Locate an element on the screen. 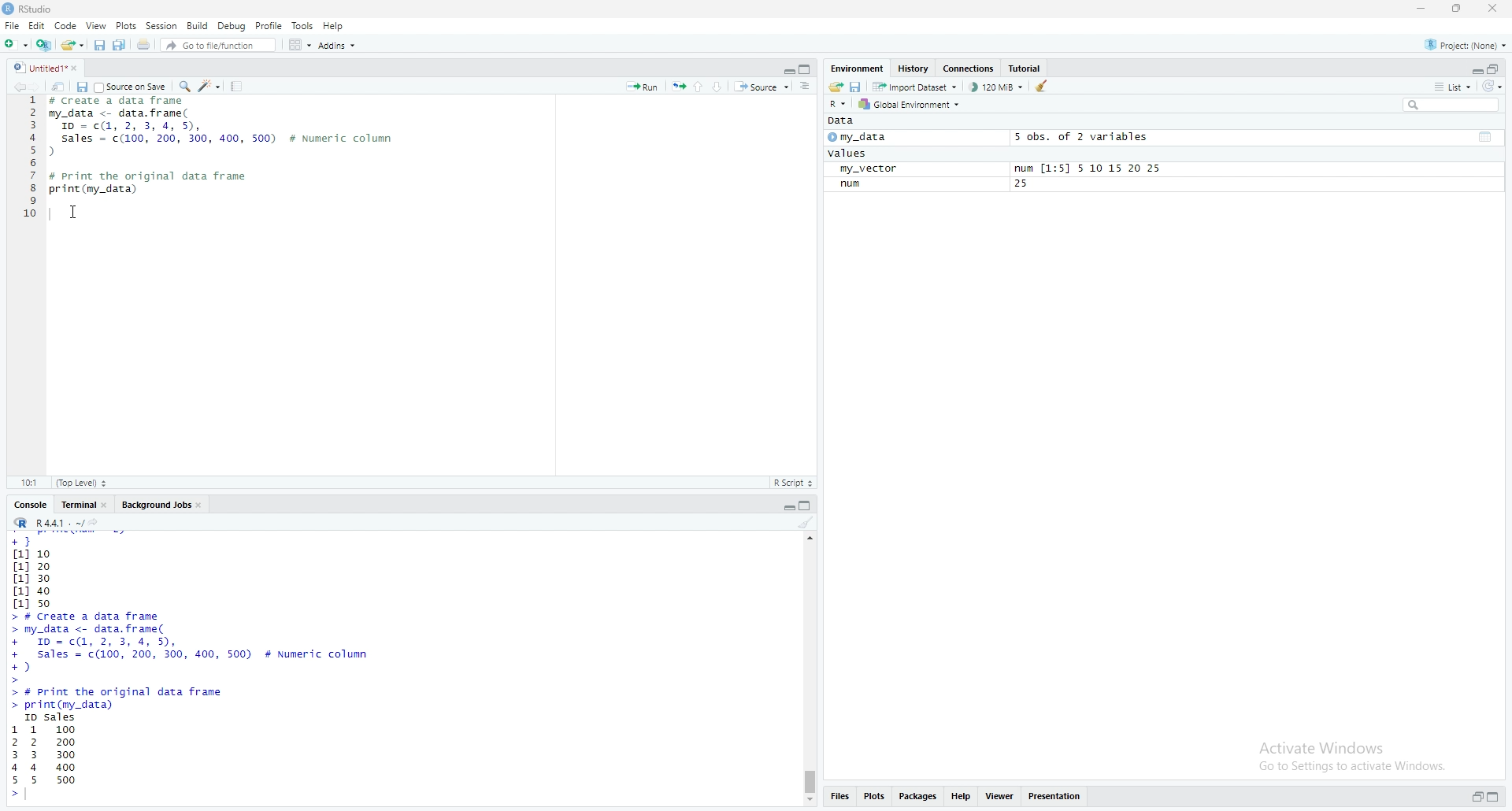 This screenshot has height=811, width=1512. Tools is located at coordinates (302, 24).